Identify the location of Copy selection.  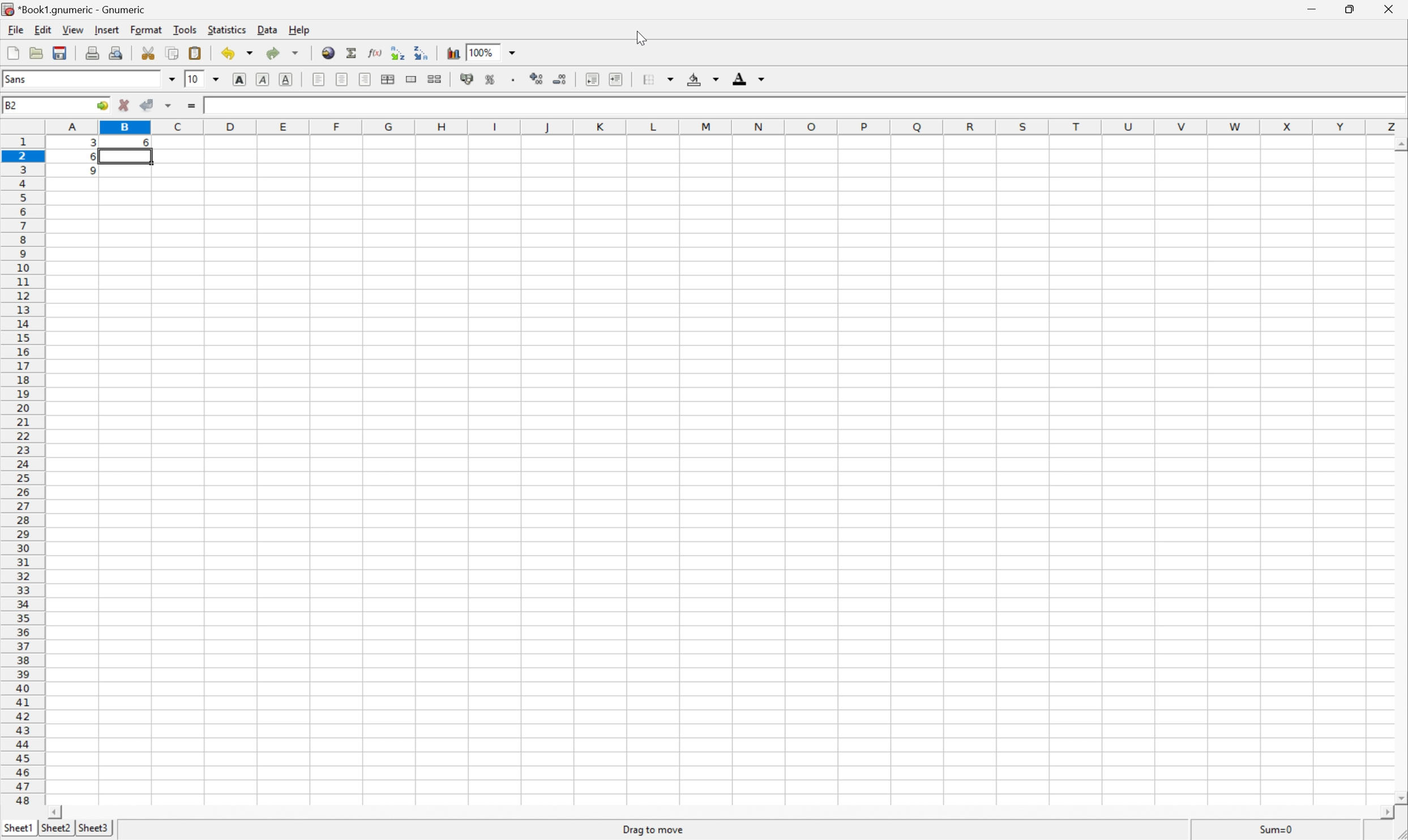
(173, 53).